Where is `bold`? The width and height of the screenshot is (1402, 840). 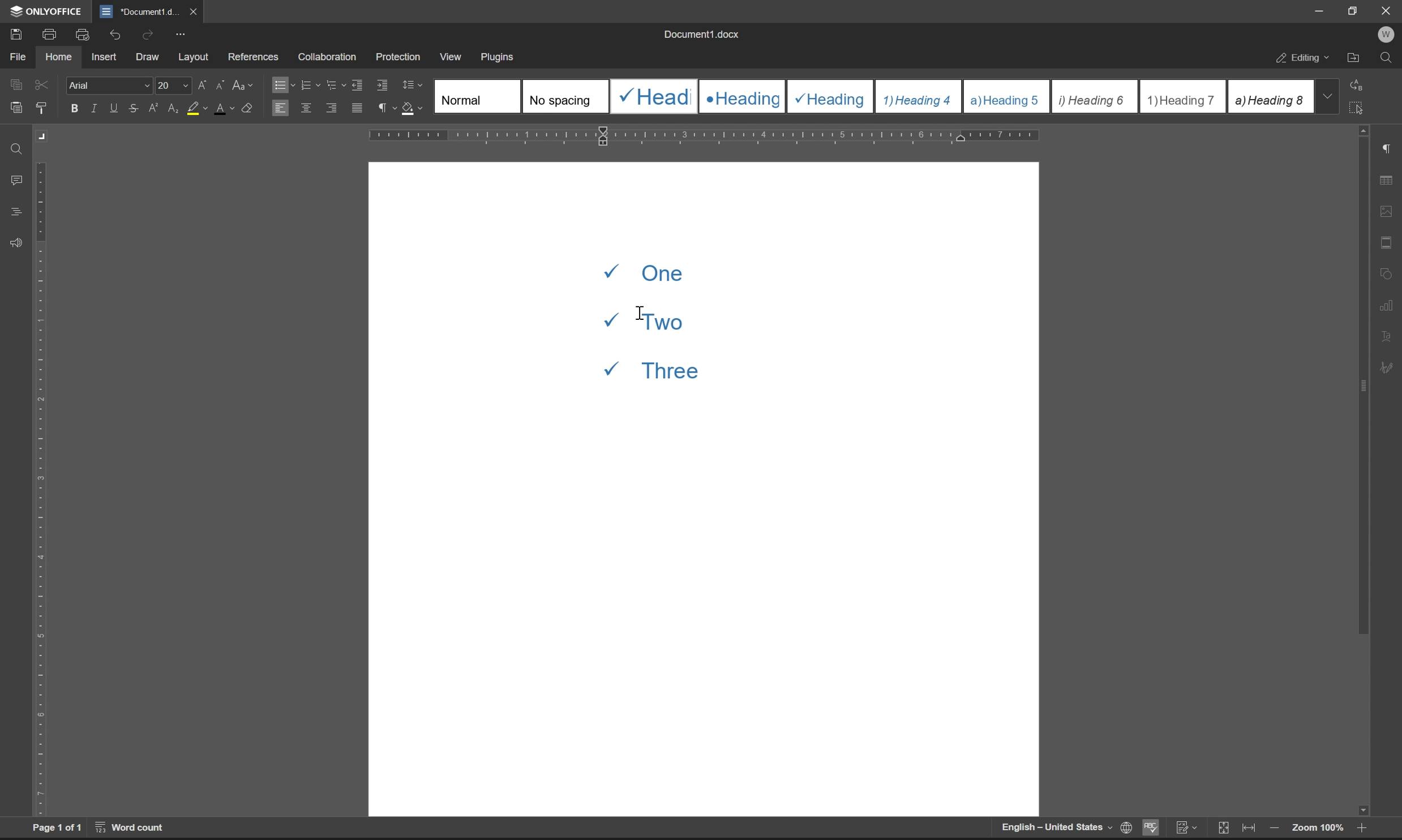 bold is located at coordinates (75, 109).